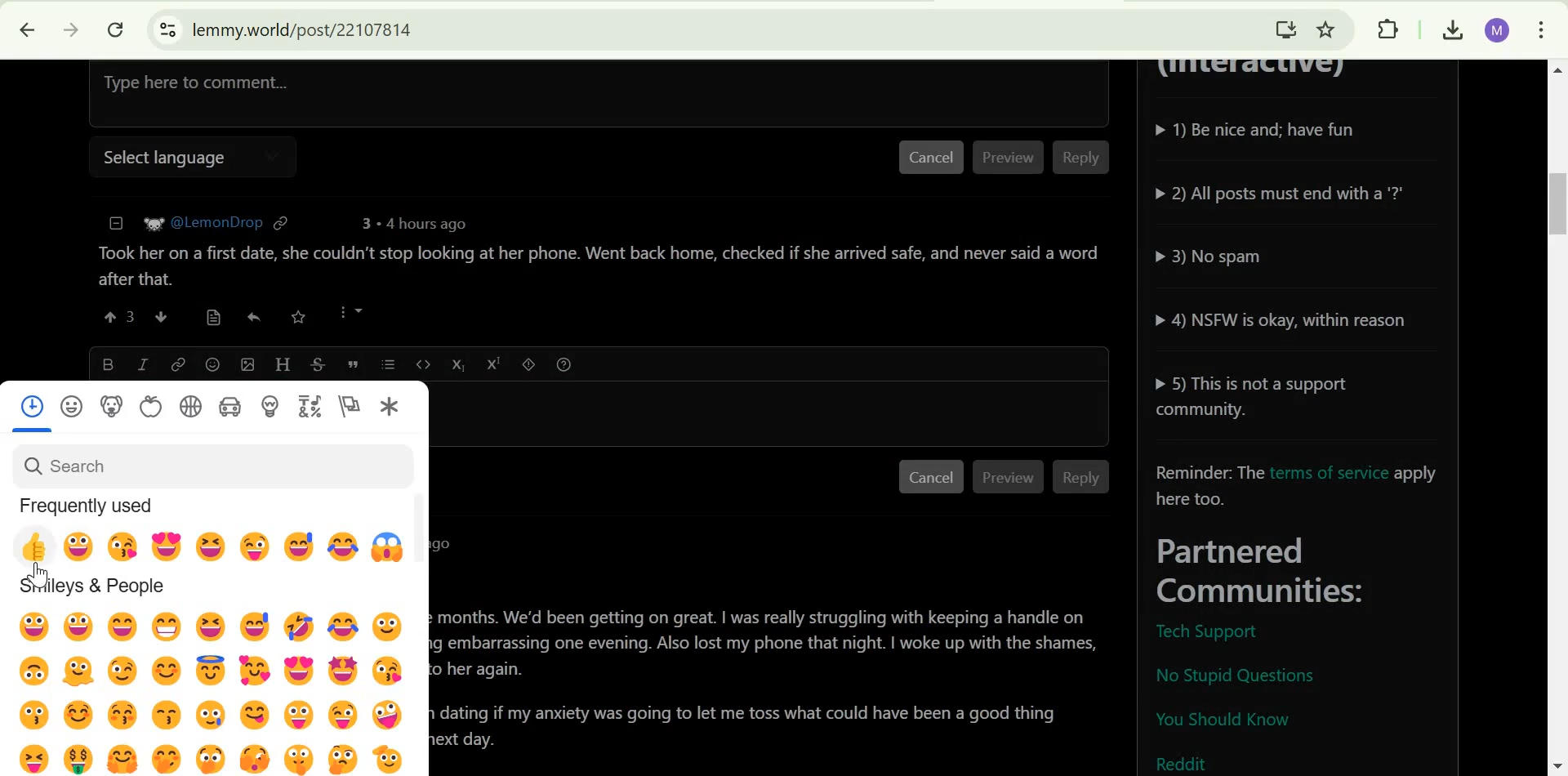  I want to click on Install Lemmy.World, so click(1282, 27).